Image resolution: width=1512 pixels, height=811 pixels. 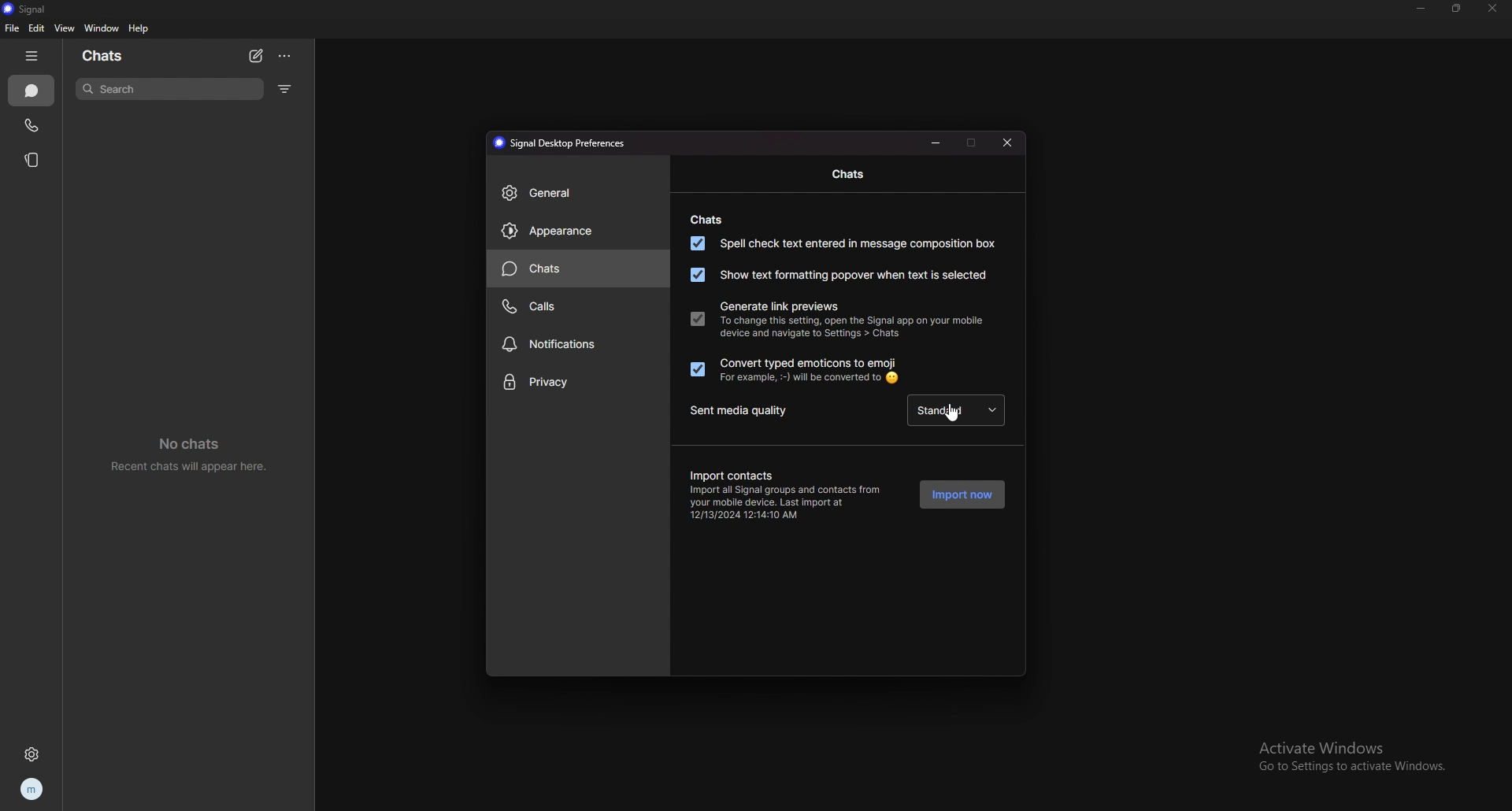 I want to click on close, so click(x=1491, y=9).